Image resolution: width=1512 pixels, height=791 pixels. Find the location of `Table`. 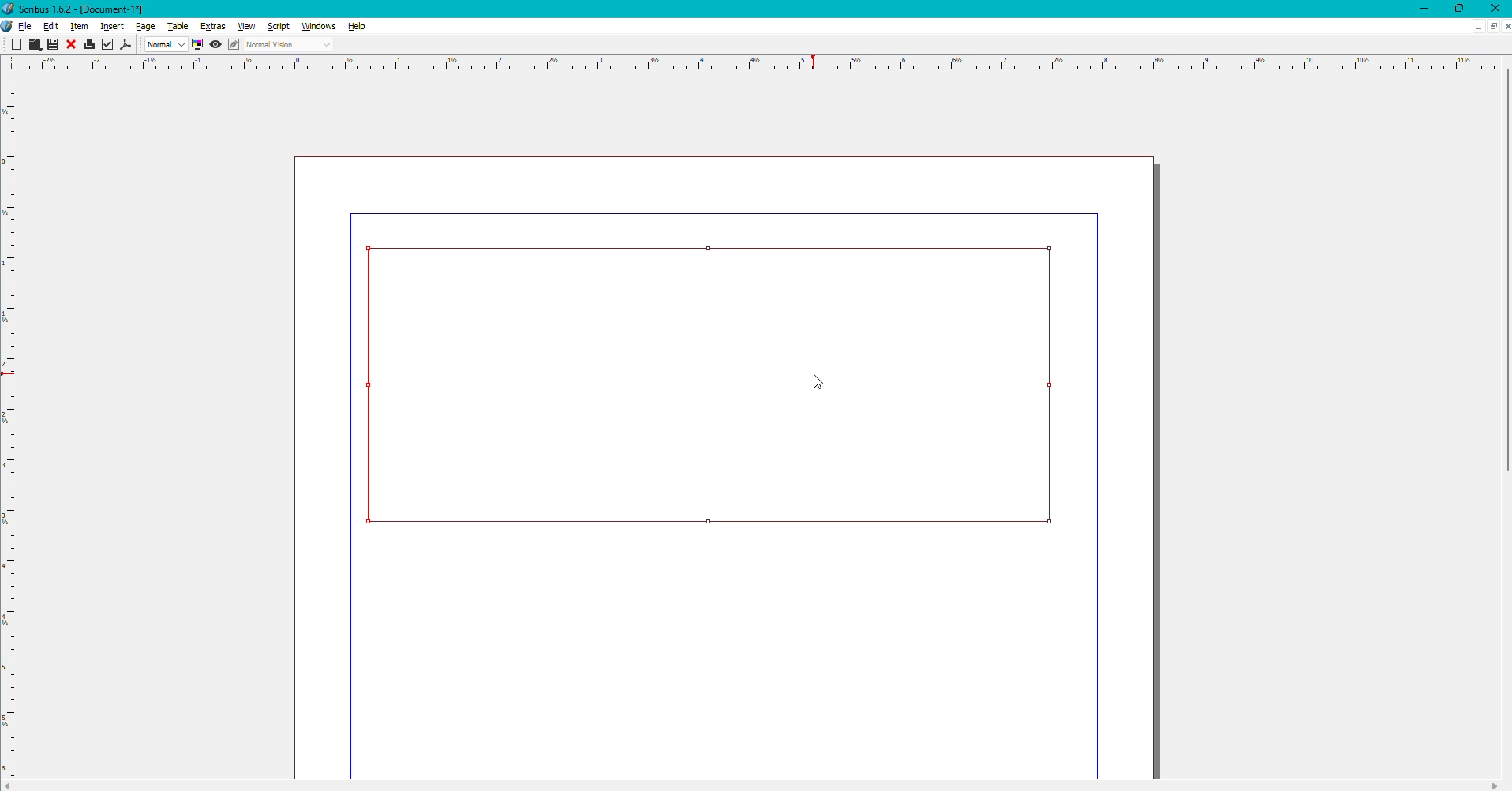

Table is located at coordinates (176, 27).